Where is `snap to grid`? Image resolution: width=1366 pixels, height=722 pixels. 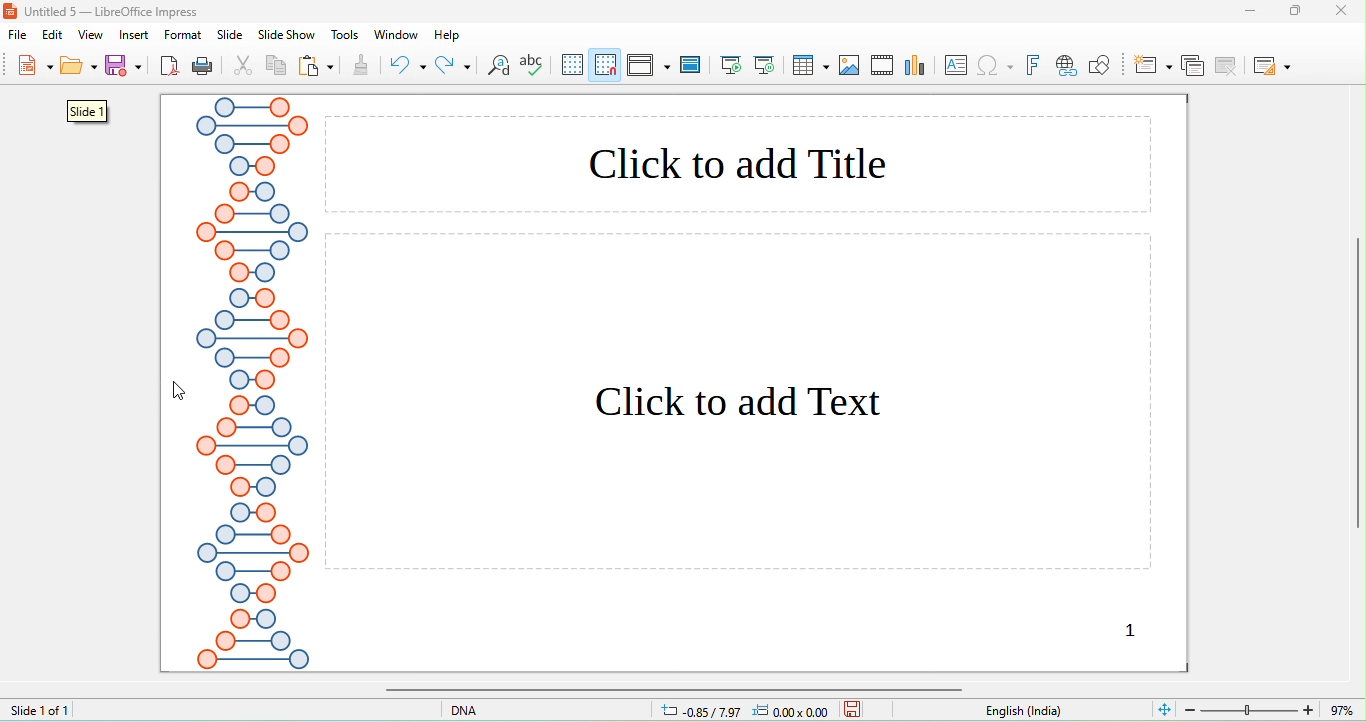
snap to grid is located at coordinates (607, 64).